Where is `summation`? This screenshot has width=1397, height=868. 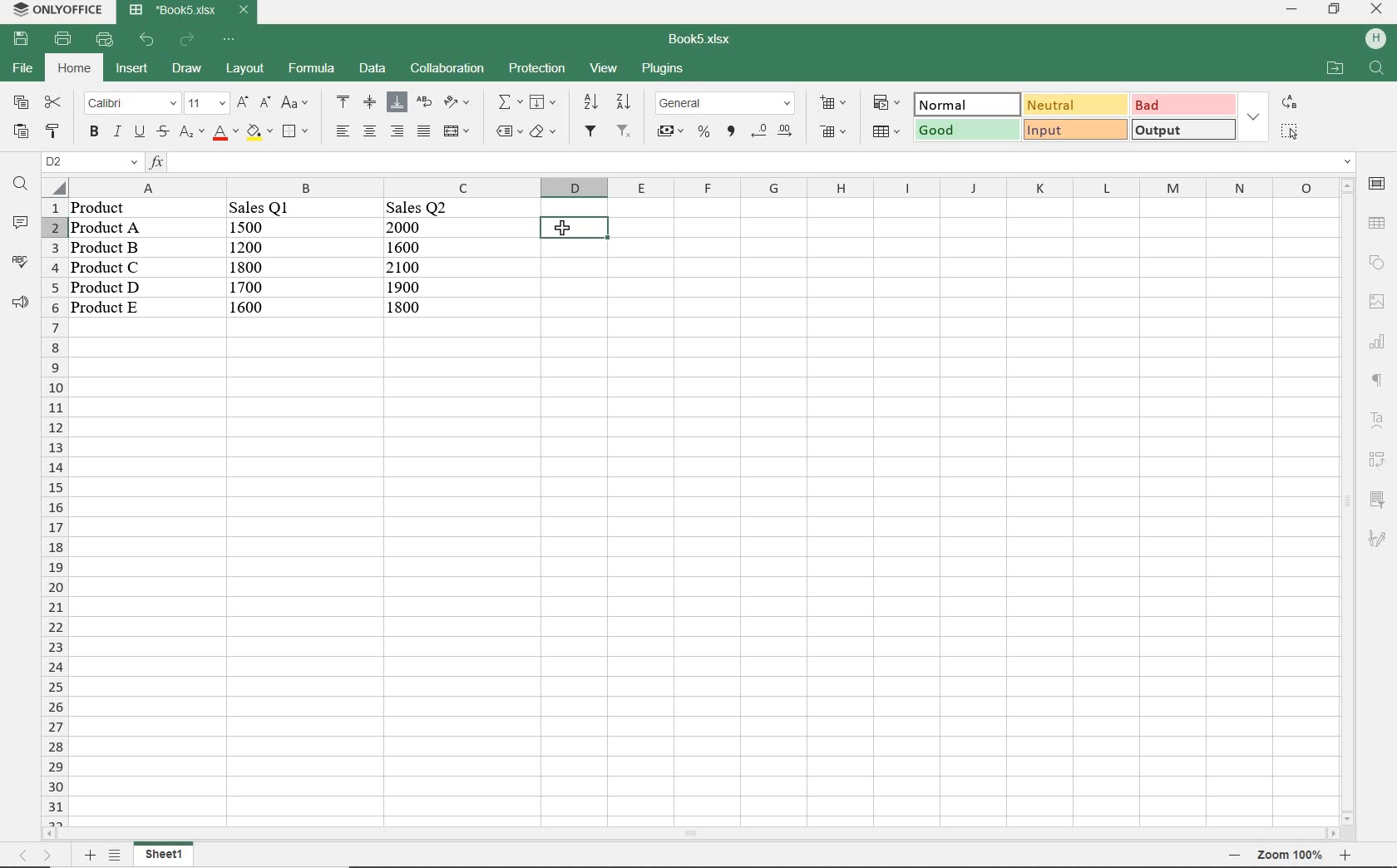 summation is located at coordinates (506, 102).